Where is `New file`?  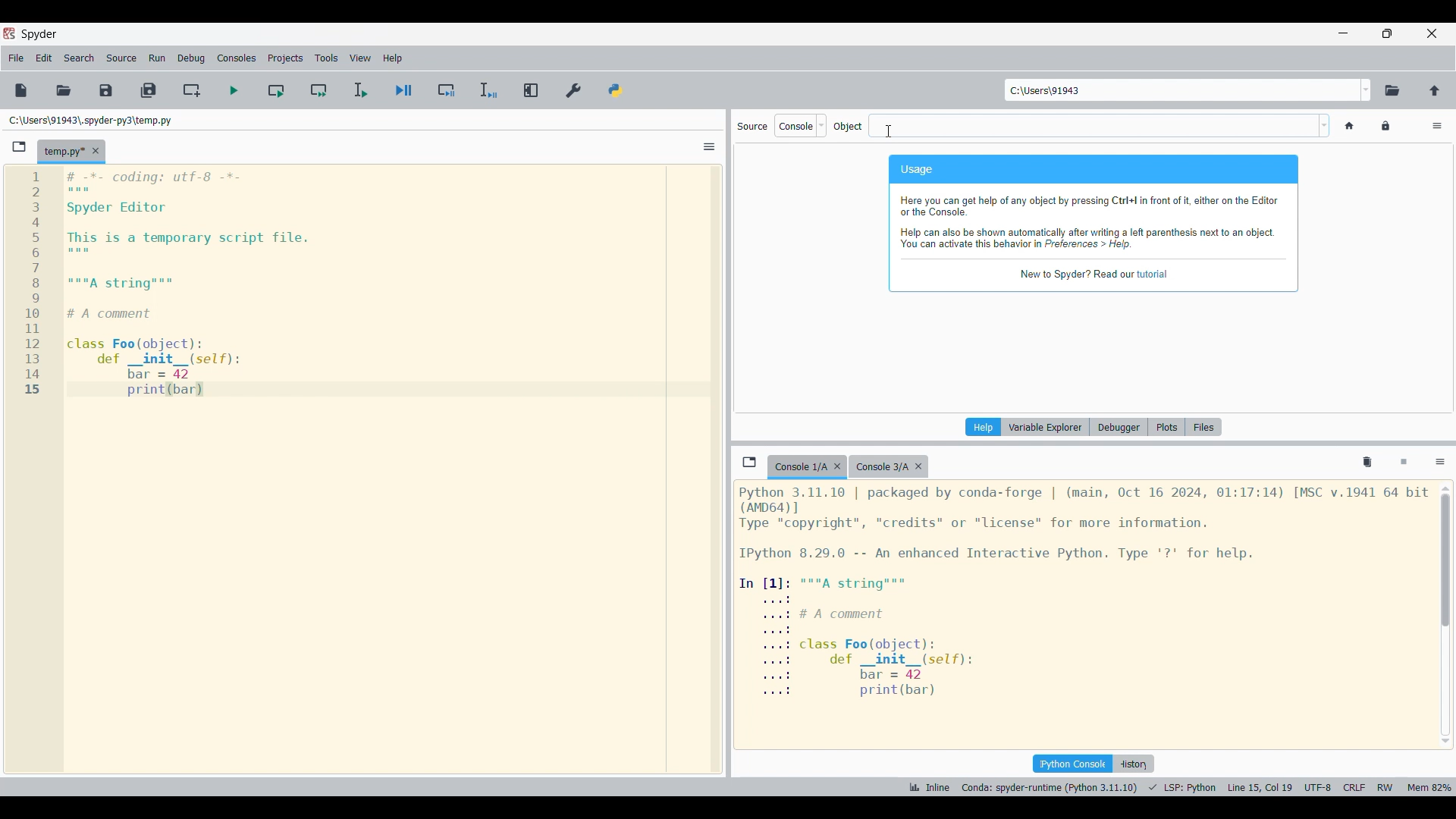
New file is located at coordinates (21, 90).